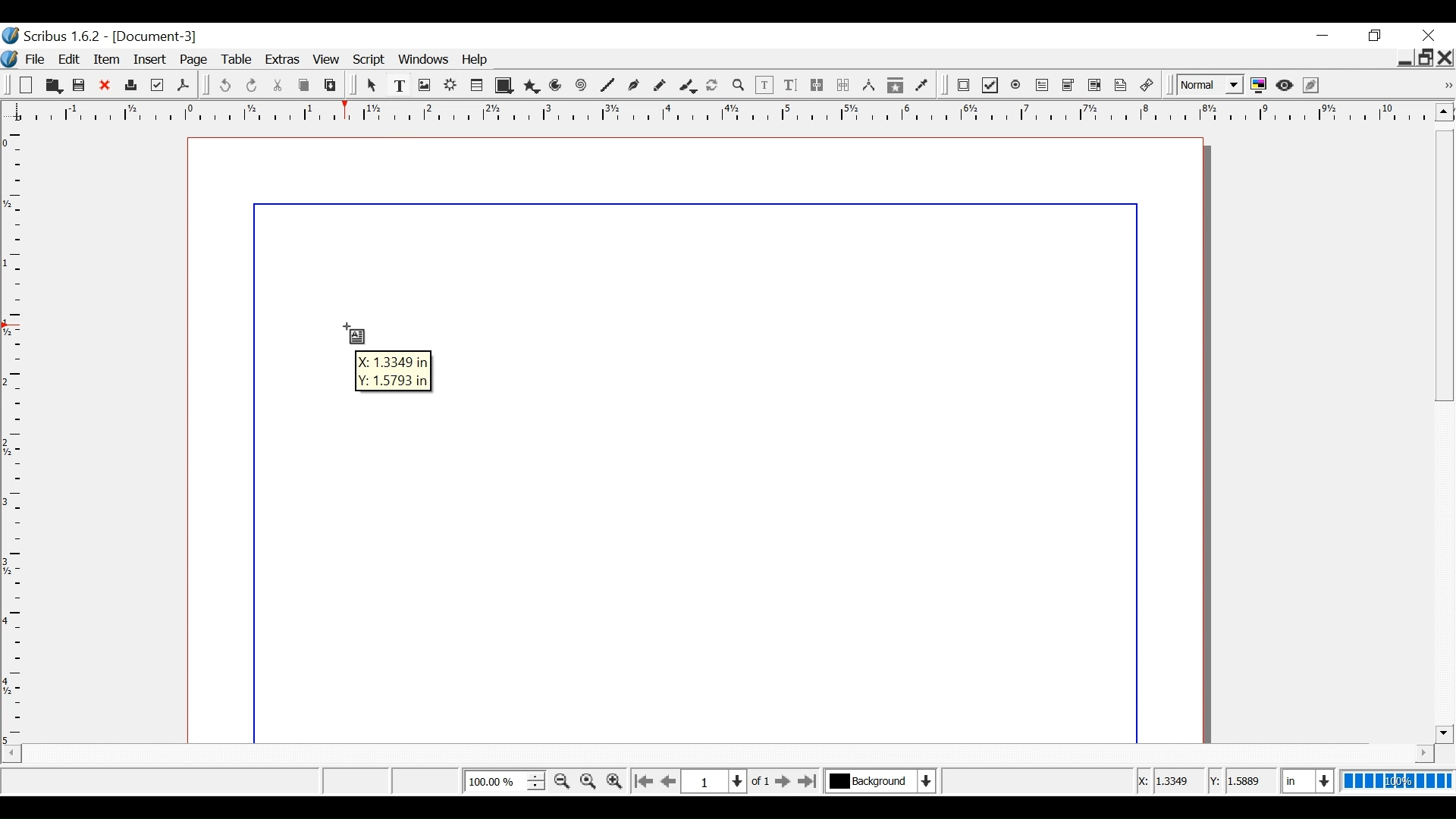  Describe the element at coordinates (532, 86) in the screenshot. I see `Polygon ` at that location.